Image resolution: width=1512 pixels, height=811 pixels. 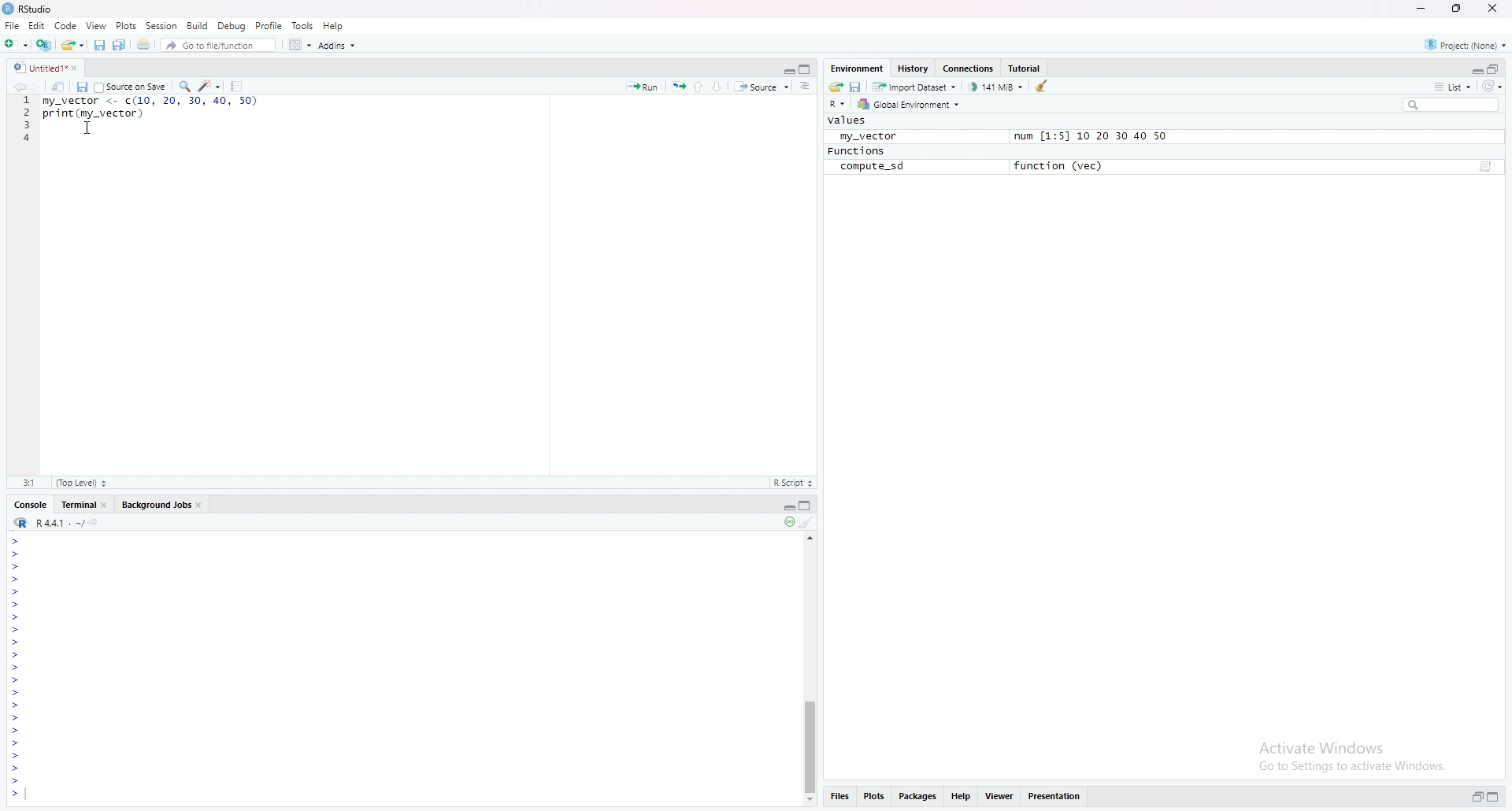 I want to click on Close, so click(x=80, y=69).